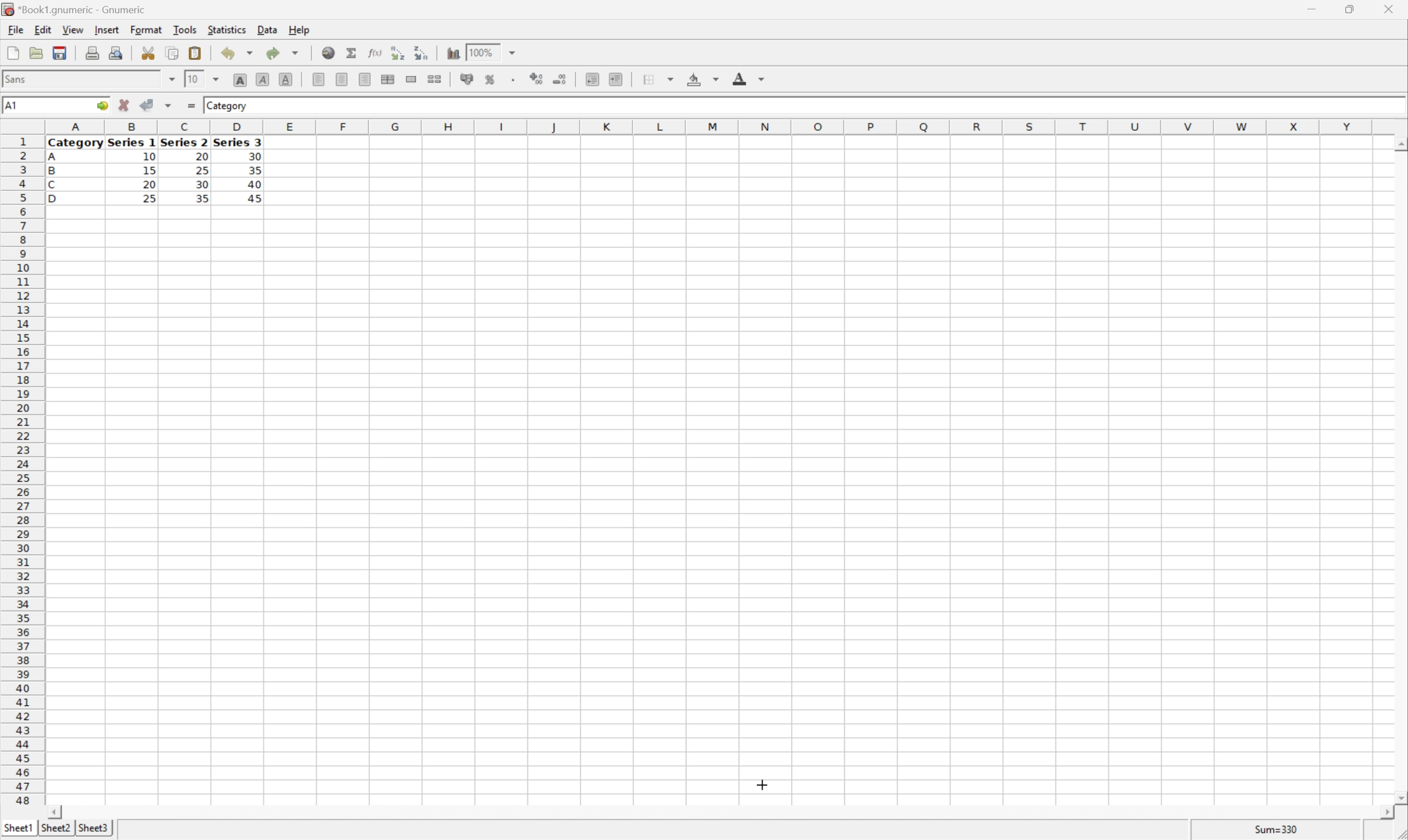 Image resolution: width=1408 pixels, height=840 pixels. What do you see at coordinates (57, 812) in the screenshot?
I see `Scroll Left` at bounding box center [57, 812].